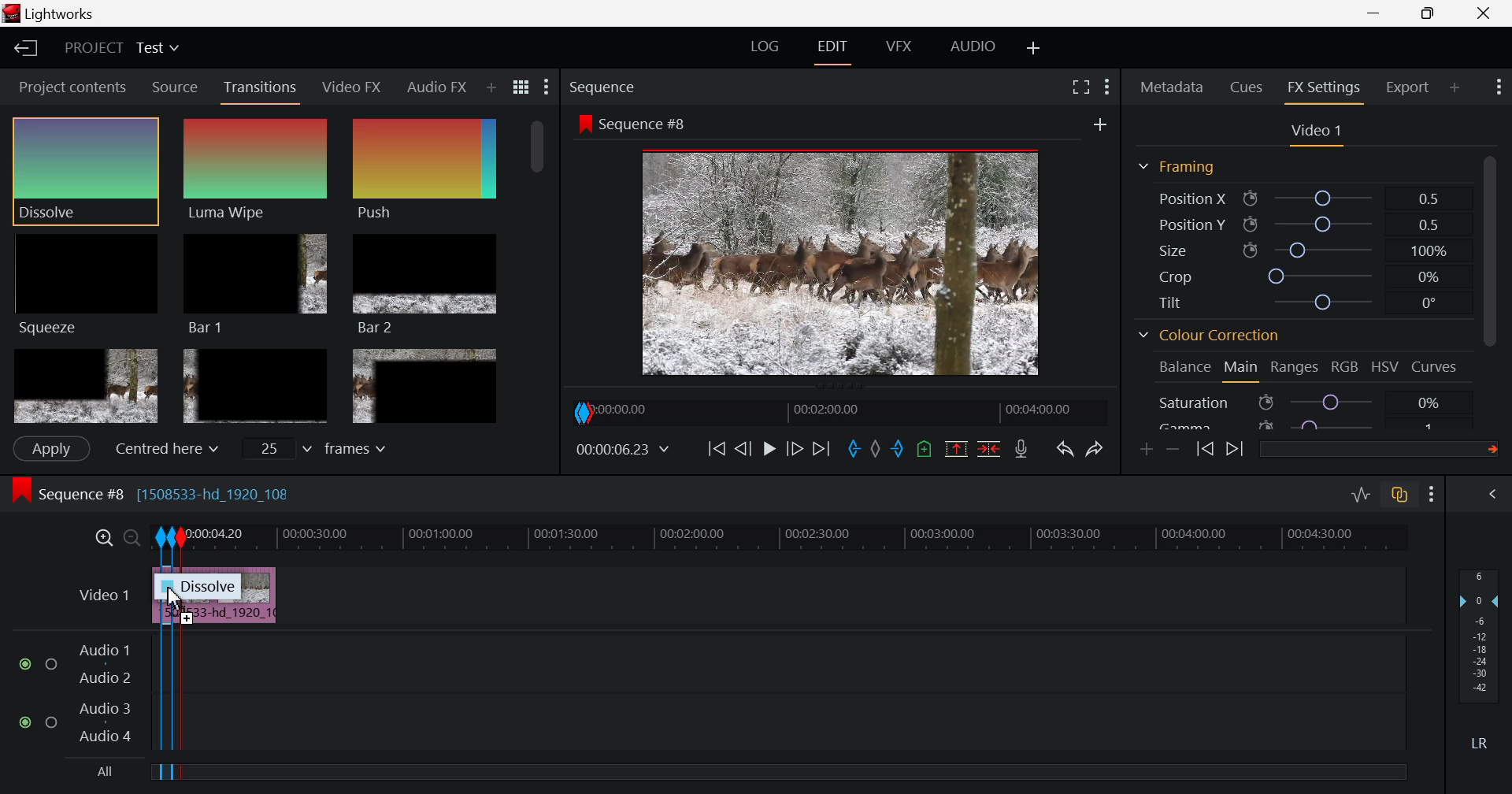 This screenshot has width=1512, height=794. I want to click on Transitions Tab Open, so click(264, 88).